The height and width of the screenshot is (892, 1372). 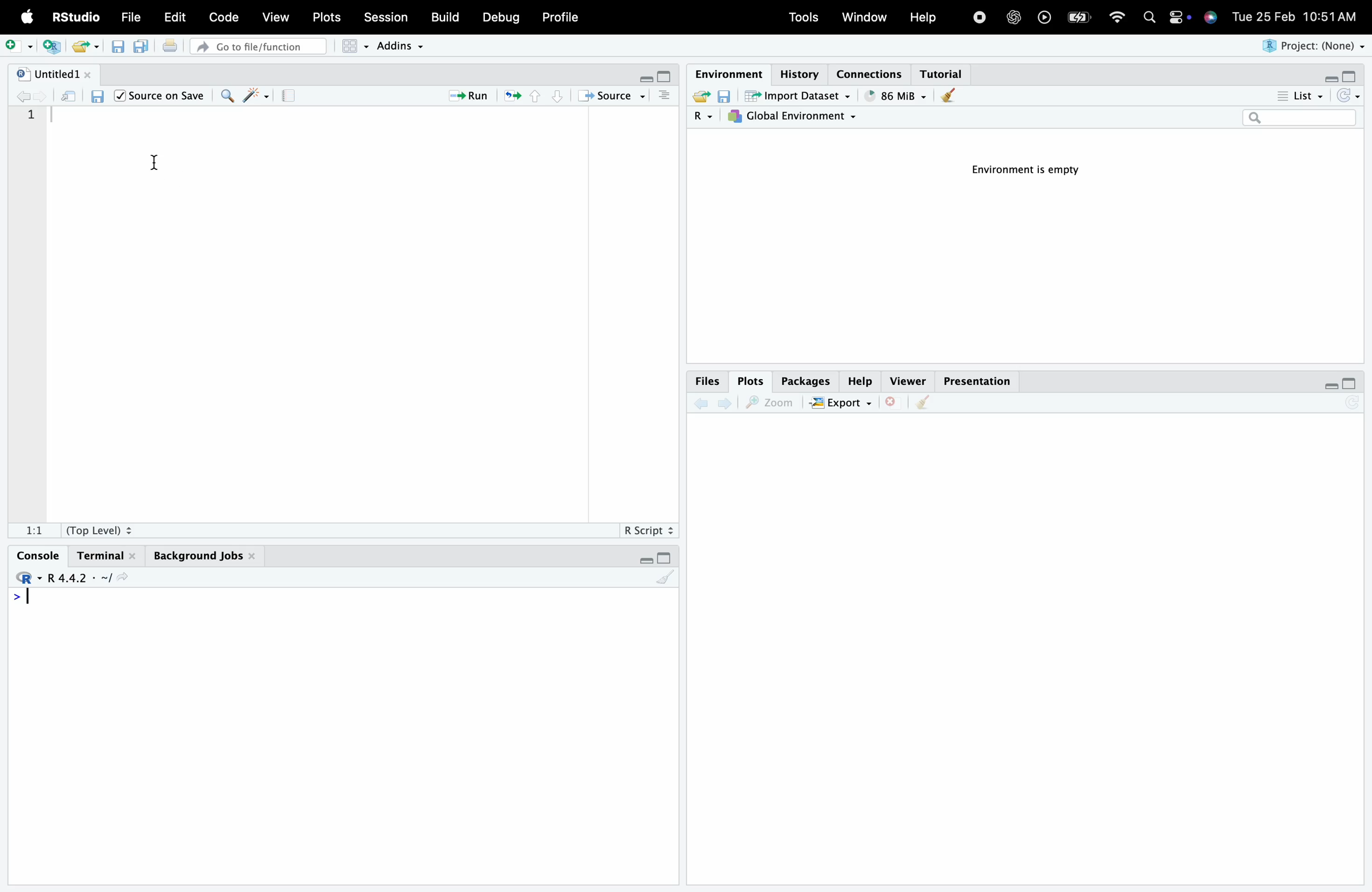 What do you see at coordinates (925, 407) in the screenshot?
I see `clear` at bounding box center [925, 407].